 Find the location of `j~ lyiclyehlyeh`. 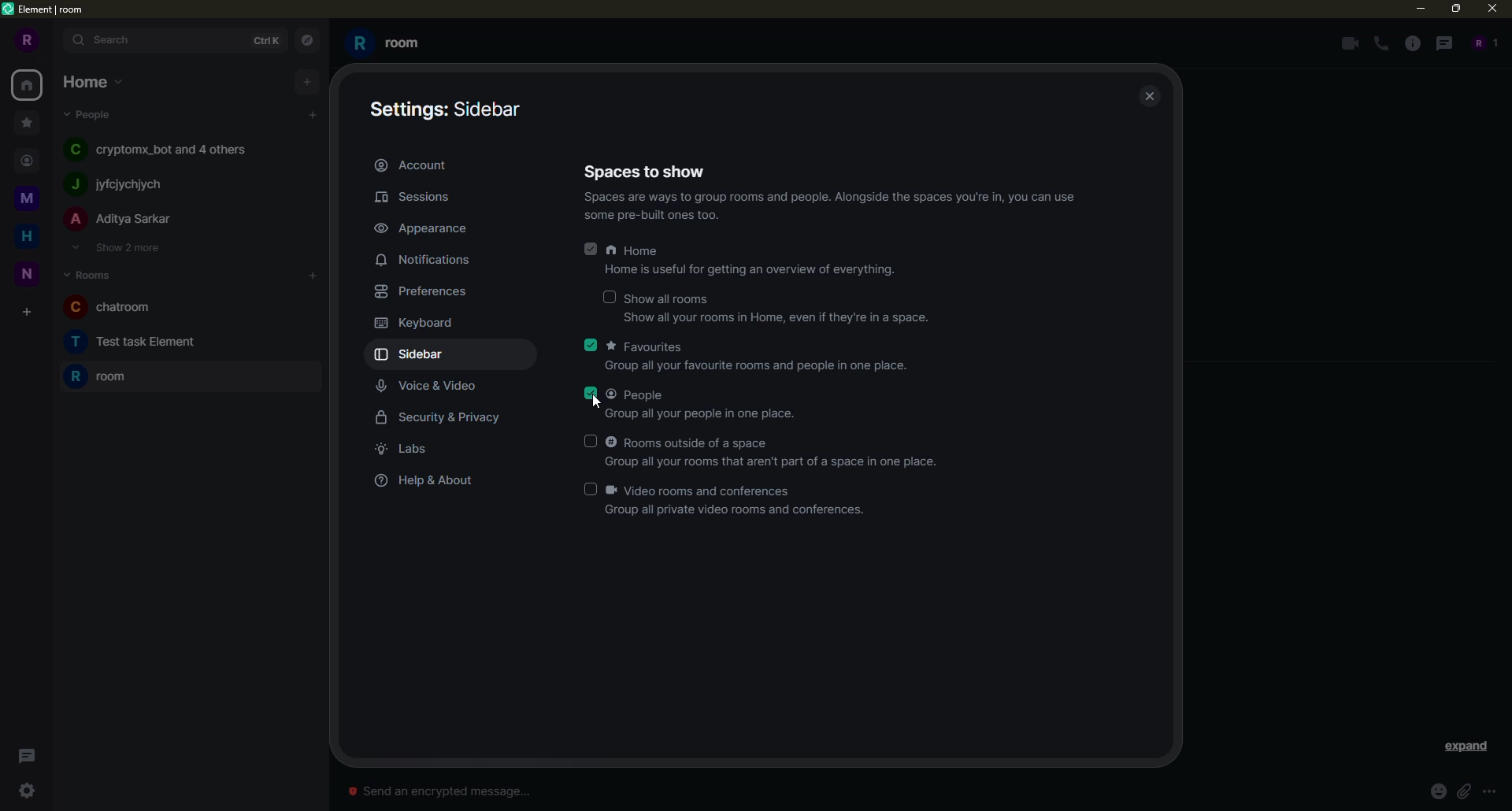

j~ lyiclyehlyeh is located at coordinates (150, 185).